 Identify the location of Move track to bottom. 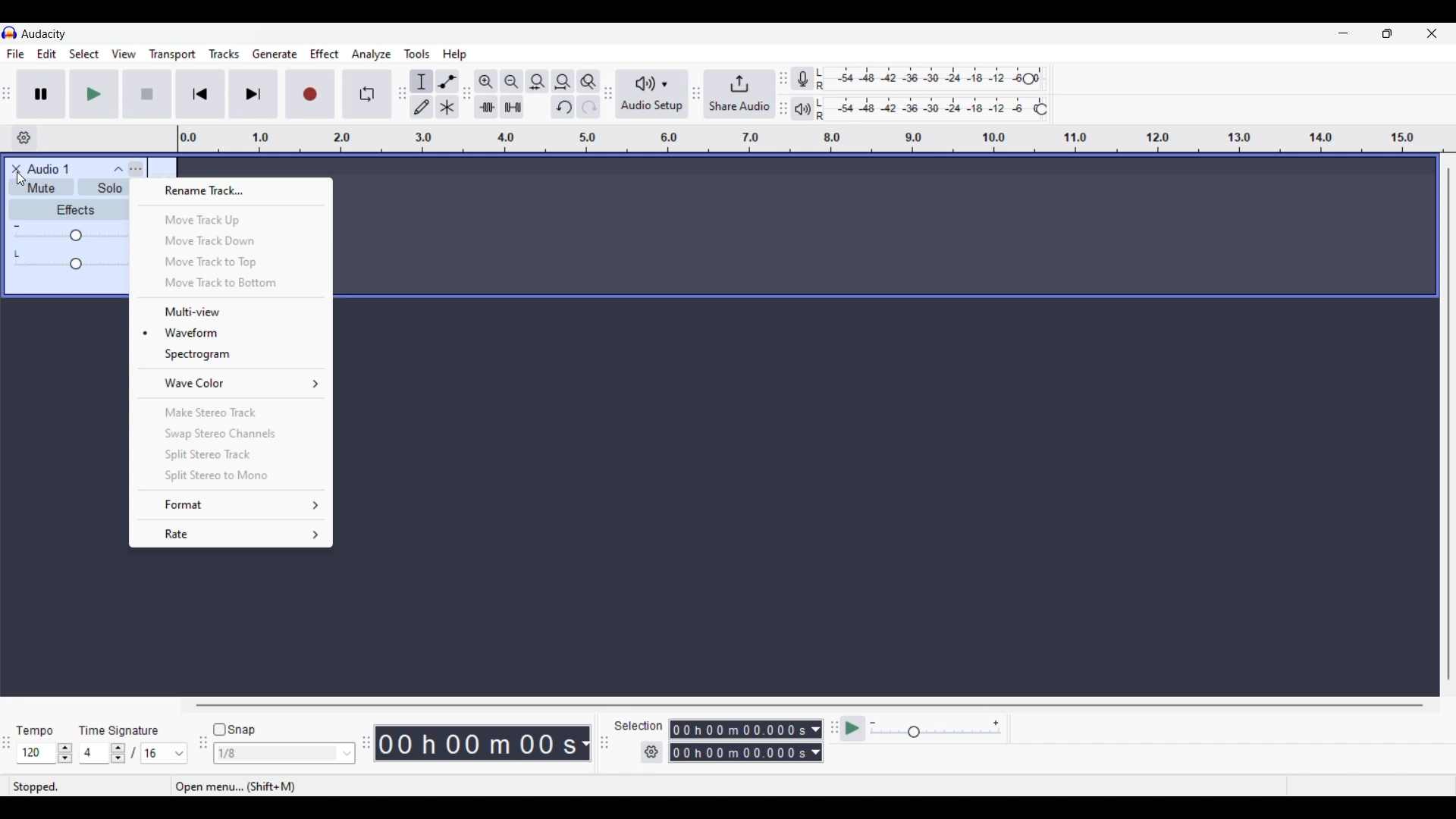
(231, 284).